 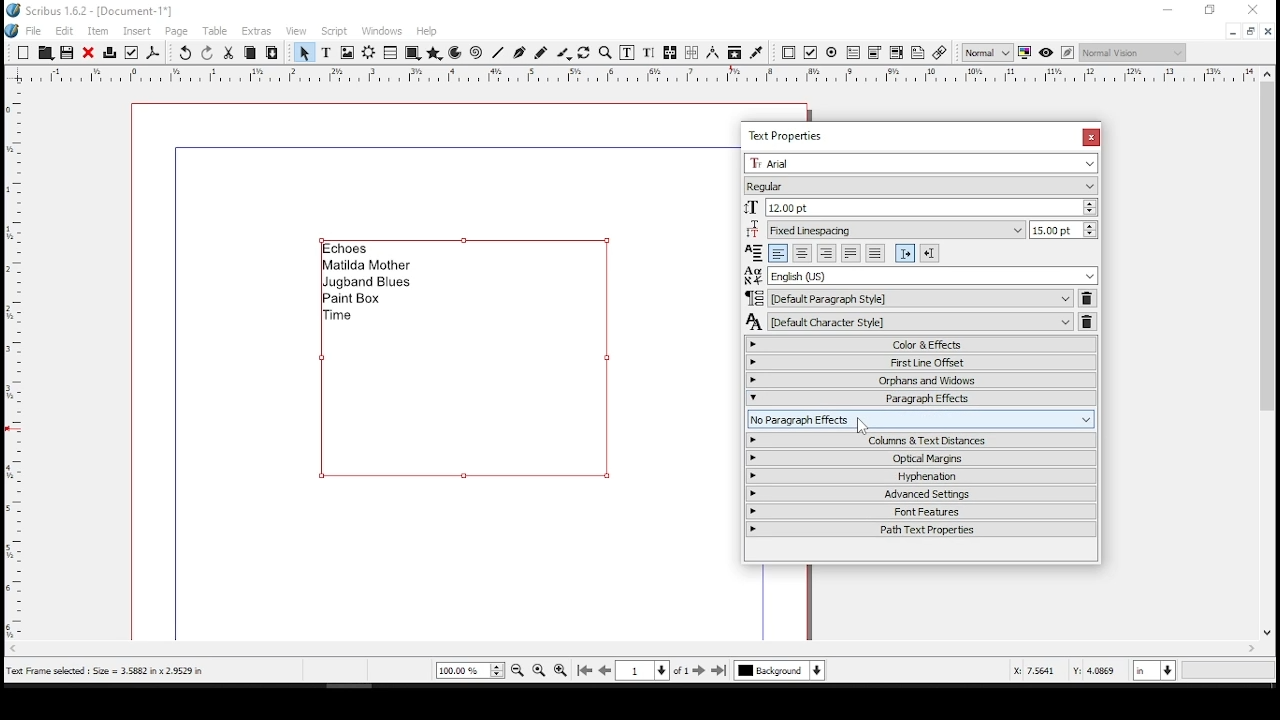 What do you see at coordinates (411, 52) in the screenshot?
I see `shape` at bounding box center [411, 52].